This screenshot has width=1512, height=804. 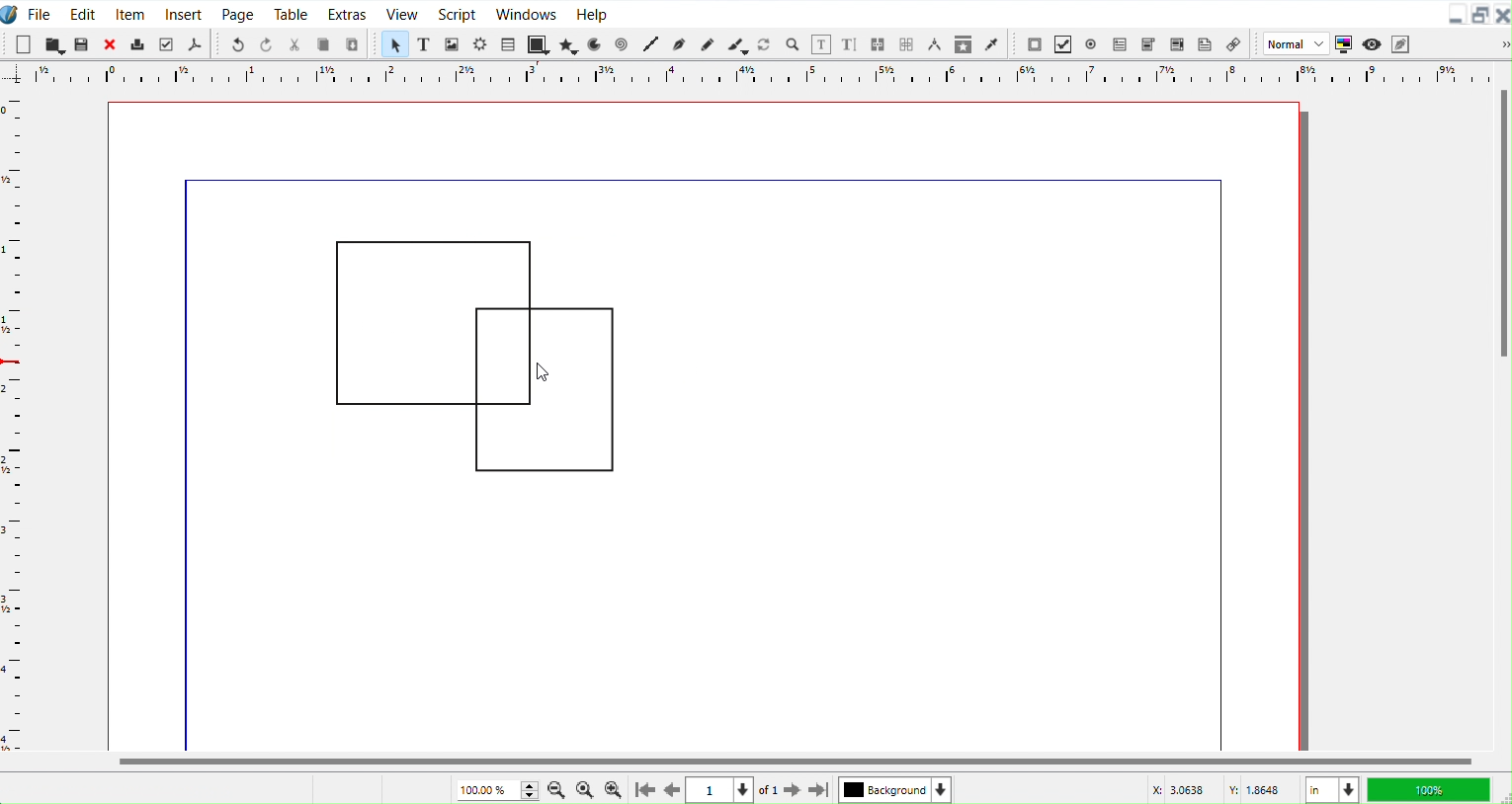 I want to click on Vertical Scroll Bar, so click(x=1501, y=404).